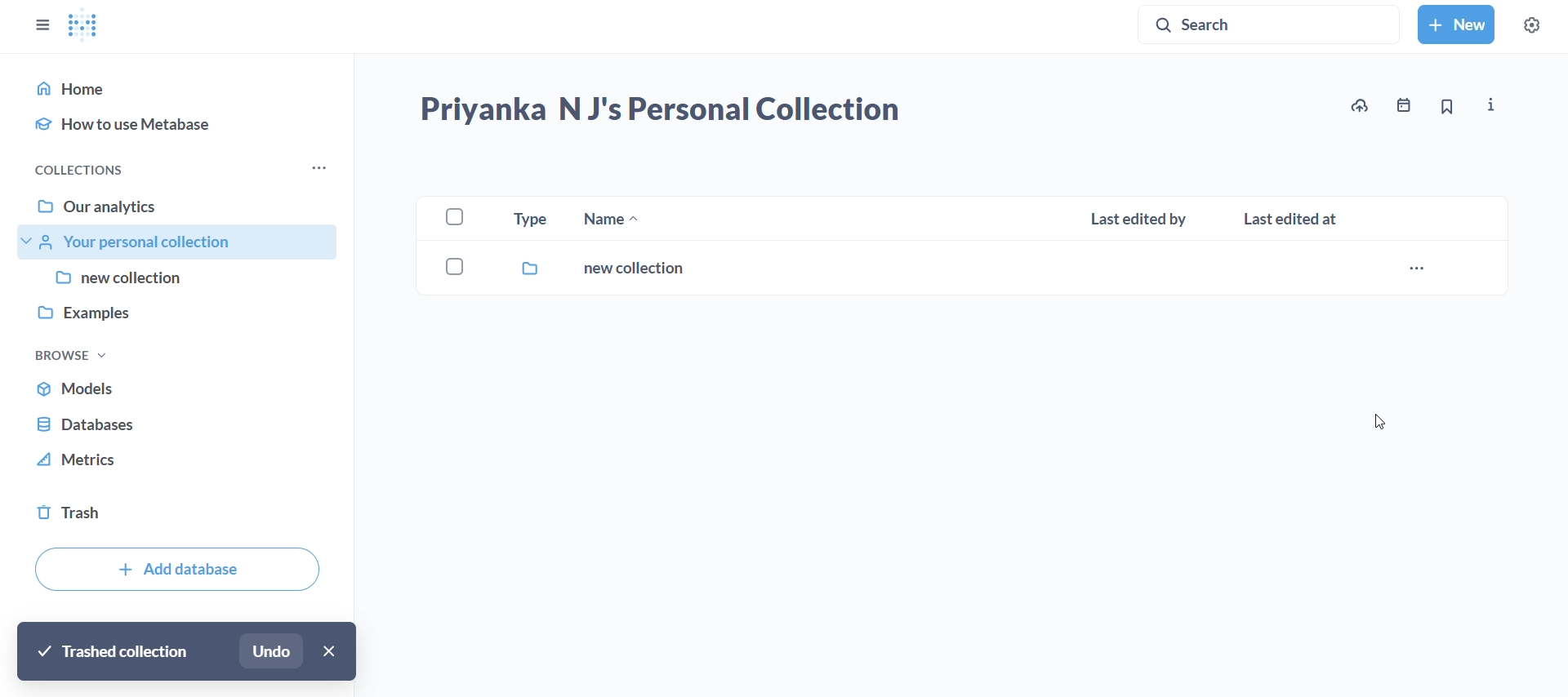  Describe the element at coordinates (1457, 25) in the screenshot. I see `new` at that location.